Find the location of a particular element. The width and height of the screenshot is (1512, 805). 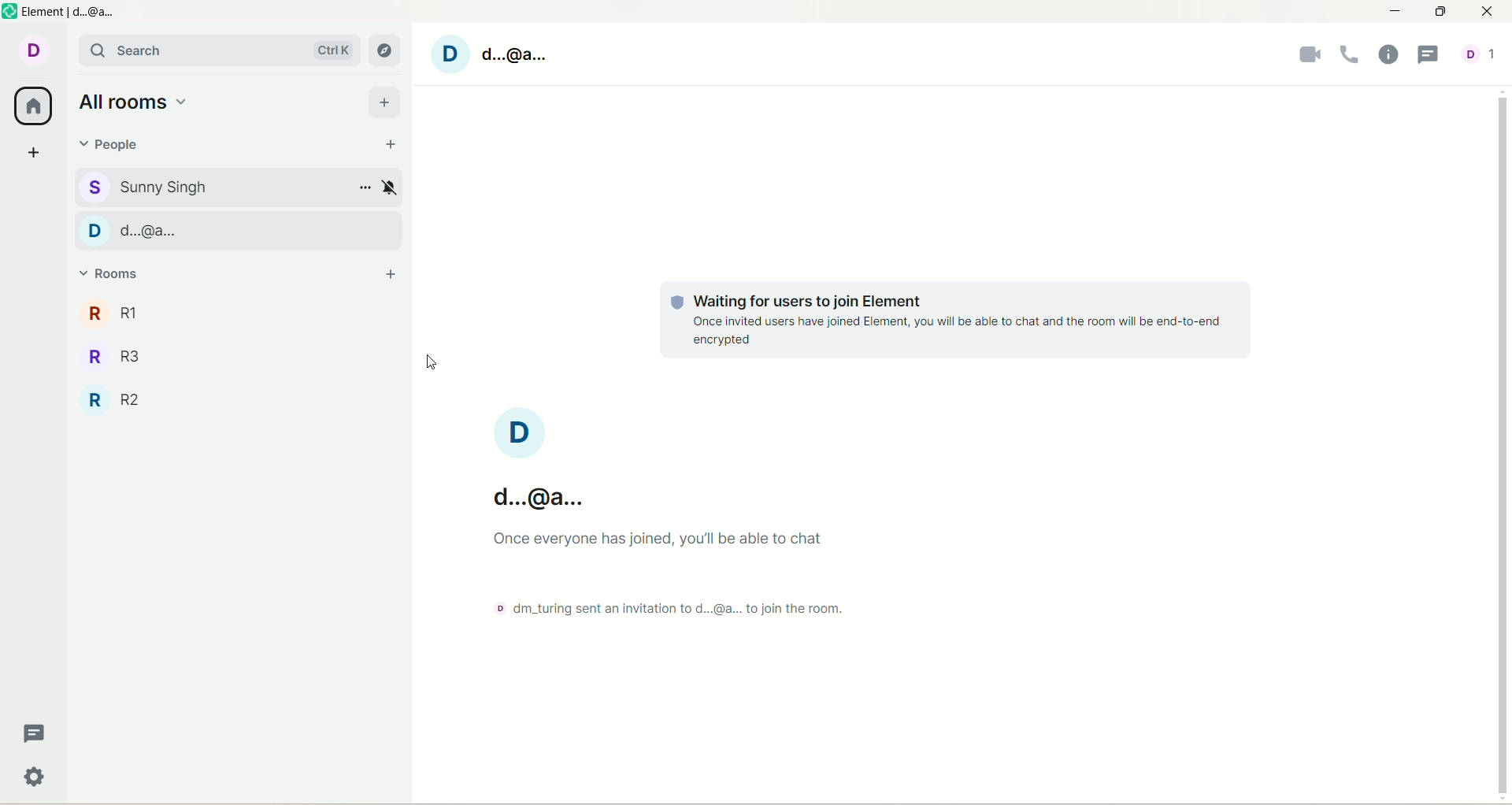

account is located at coordinates (495, 54).